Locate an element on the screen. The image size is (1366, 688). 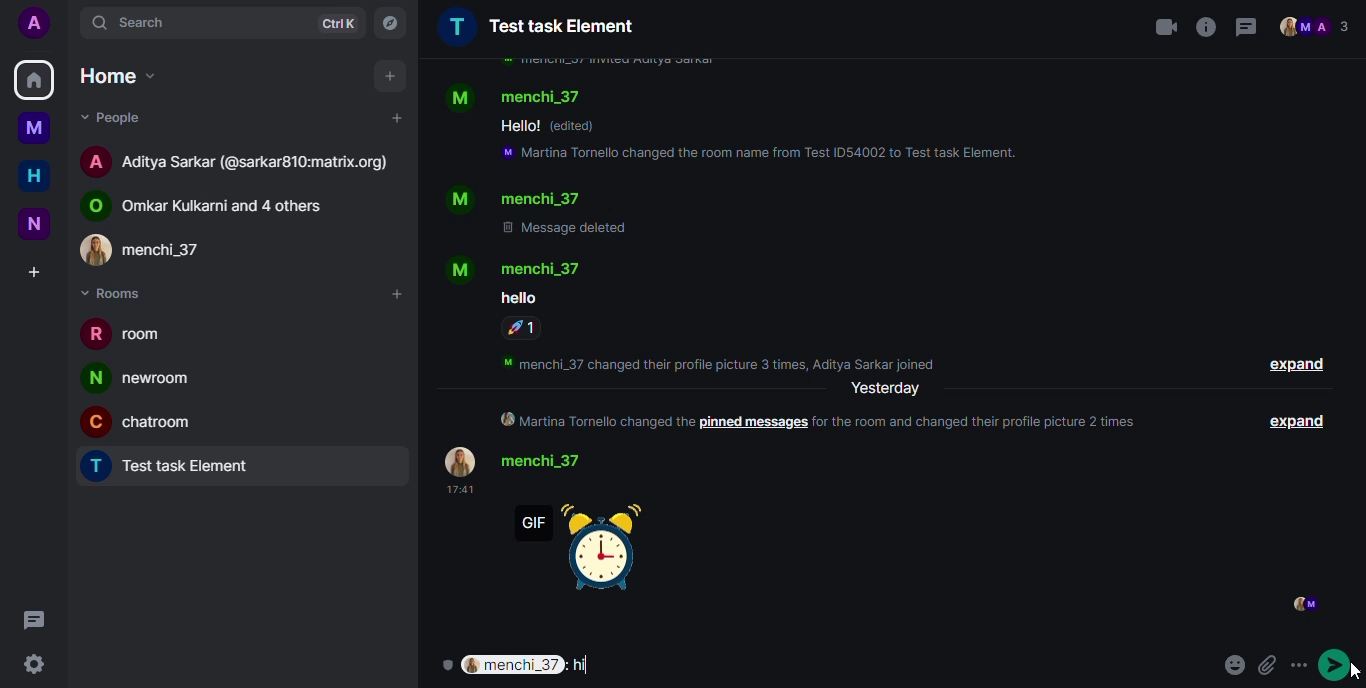
Martina tornello changed is located at coordinates (593, 421).